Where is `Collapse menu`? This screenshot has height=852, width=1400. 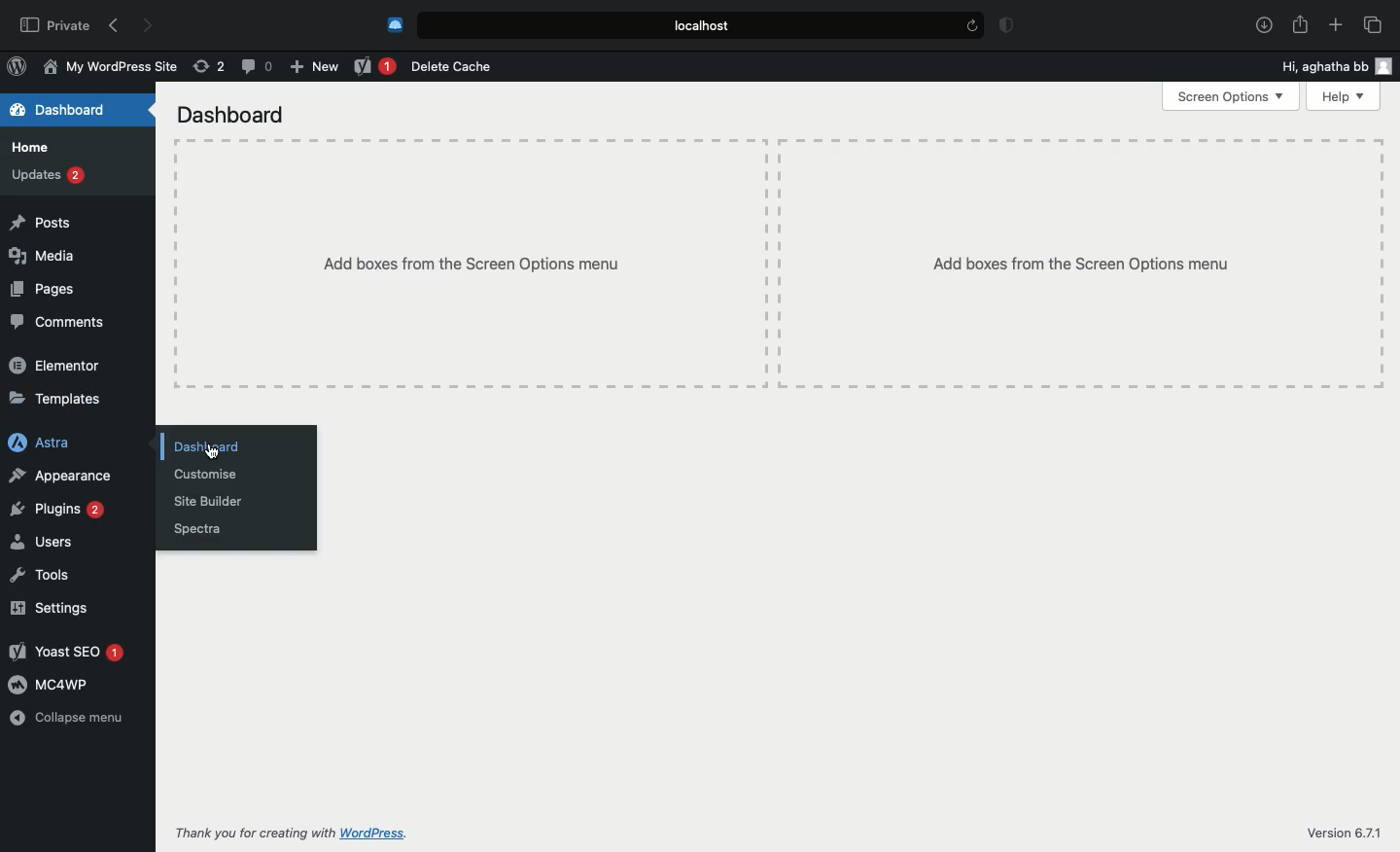
Collapse menu is located at coordinates (65, 717).